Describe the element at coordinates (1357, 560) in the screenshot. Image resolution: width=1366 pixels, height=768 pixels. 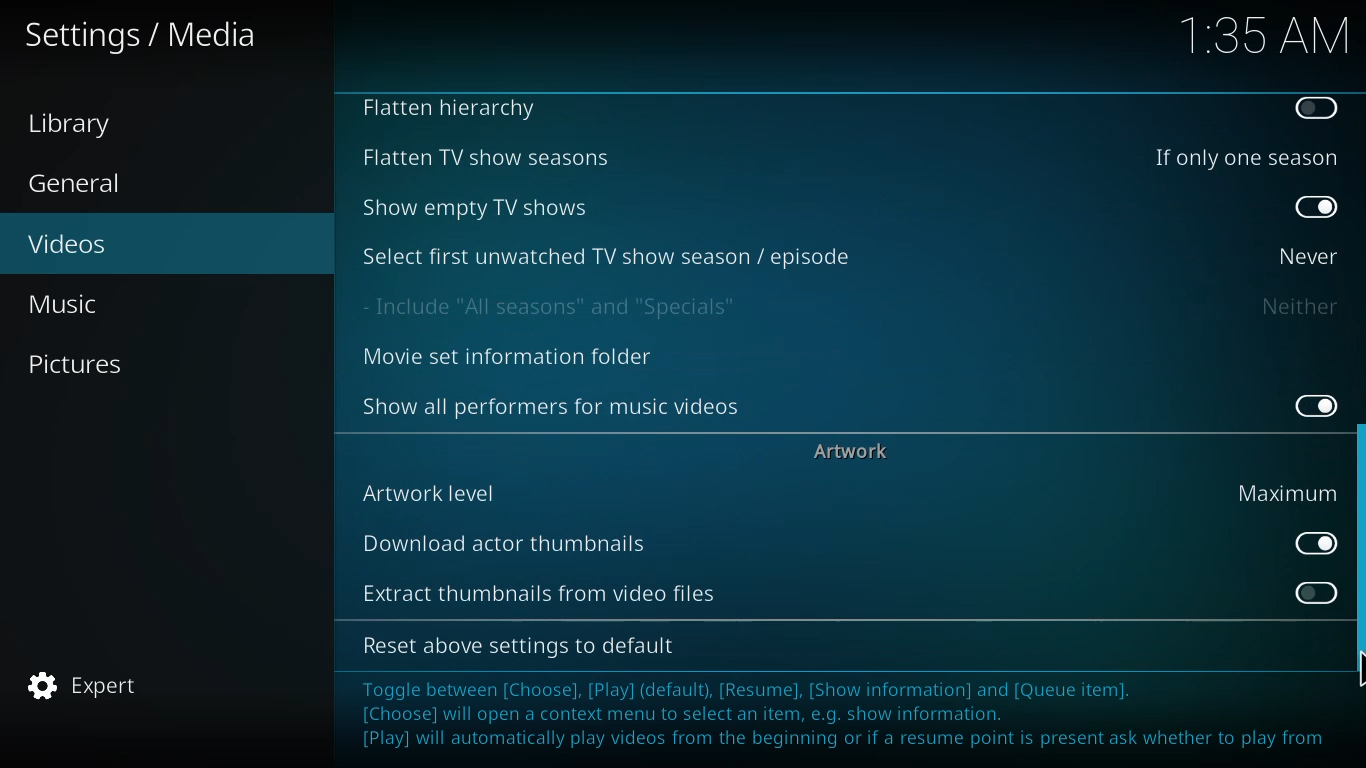
I see `scrollbar` at that location.